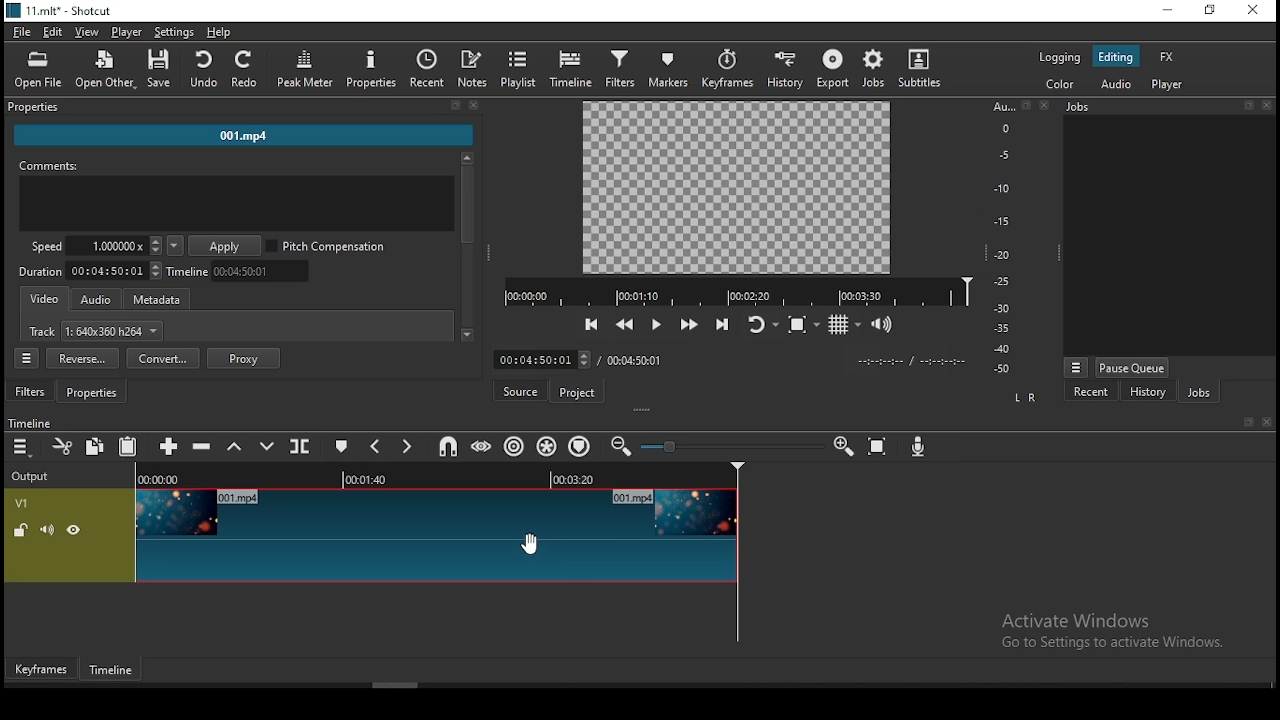 The height and width of the screenshot is (720, 1280). I want to click on comments, so click(234, 195).